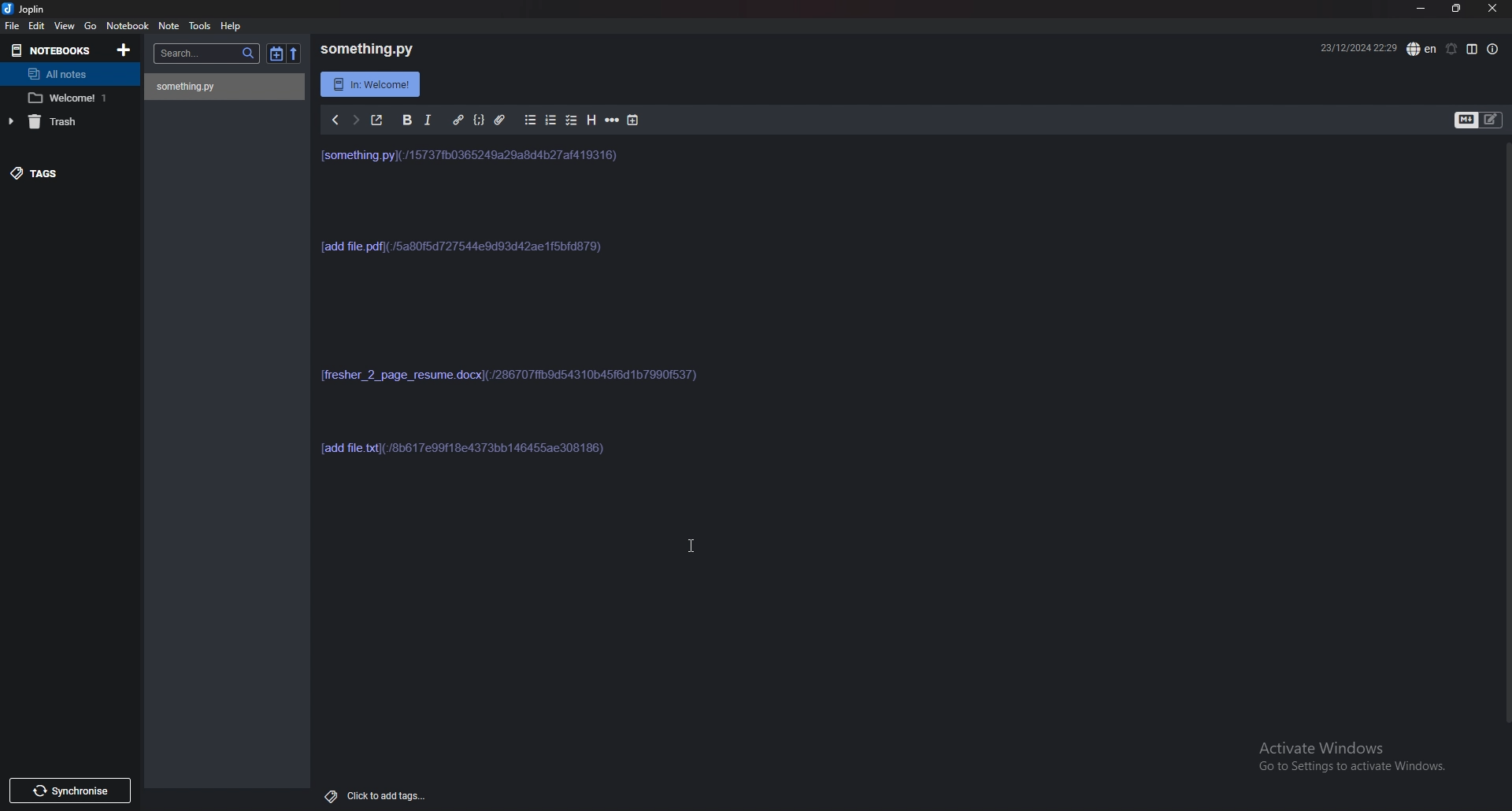 This screenshot has width=1512, height=811. Describe the element at coordinates (1480, 120) in the screenshot. I see `Toggle editor` at that location.